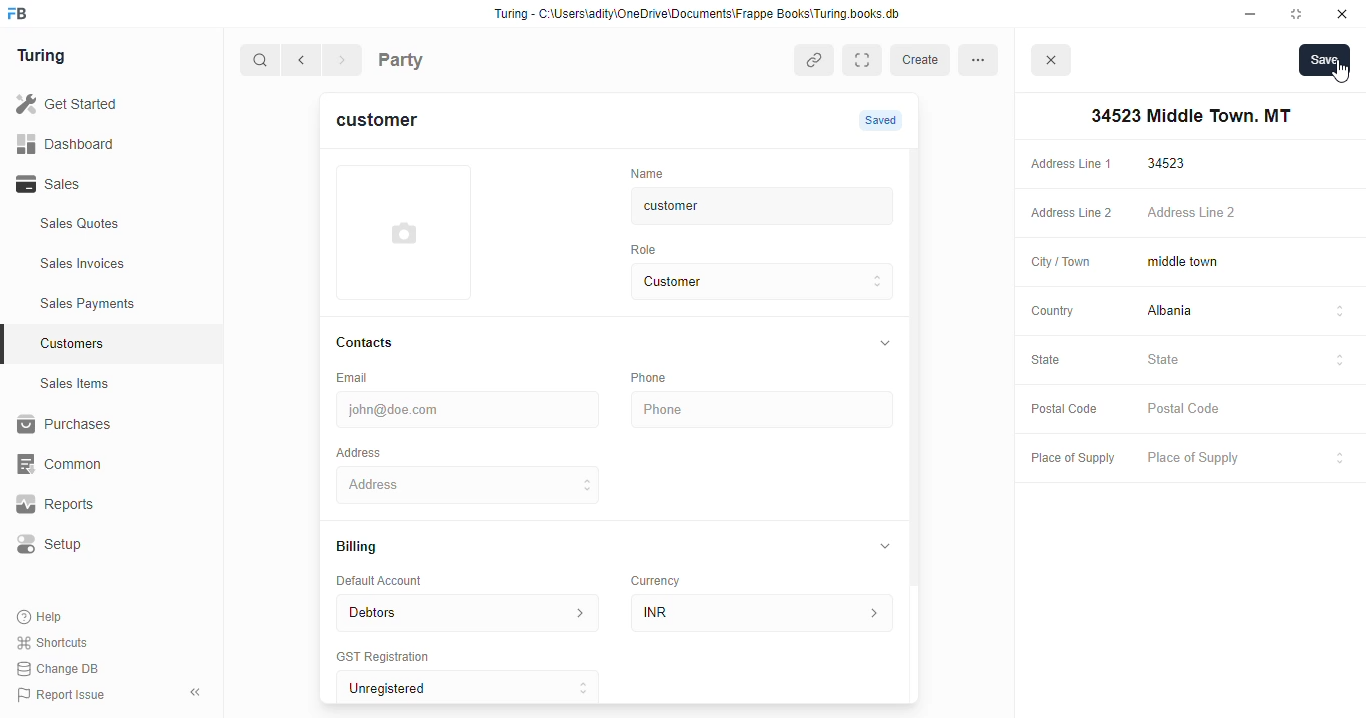 This screenshot has height=718, width=1366. I want to click on City / Town, so click(1061, 264).